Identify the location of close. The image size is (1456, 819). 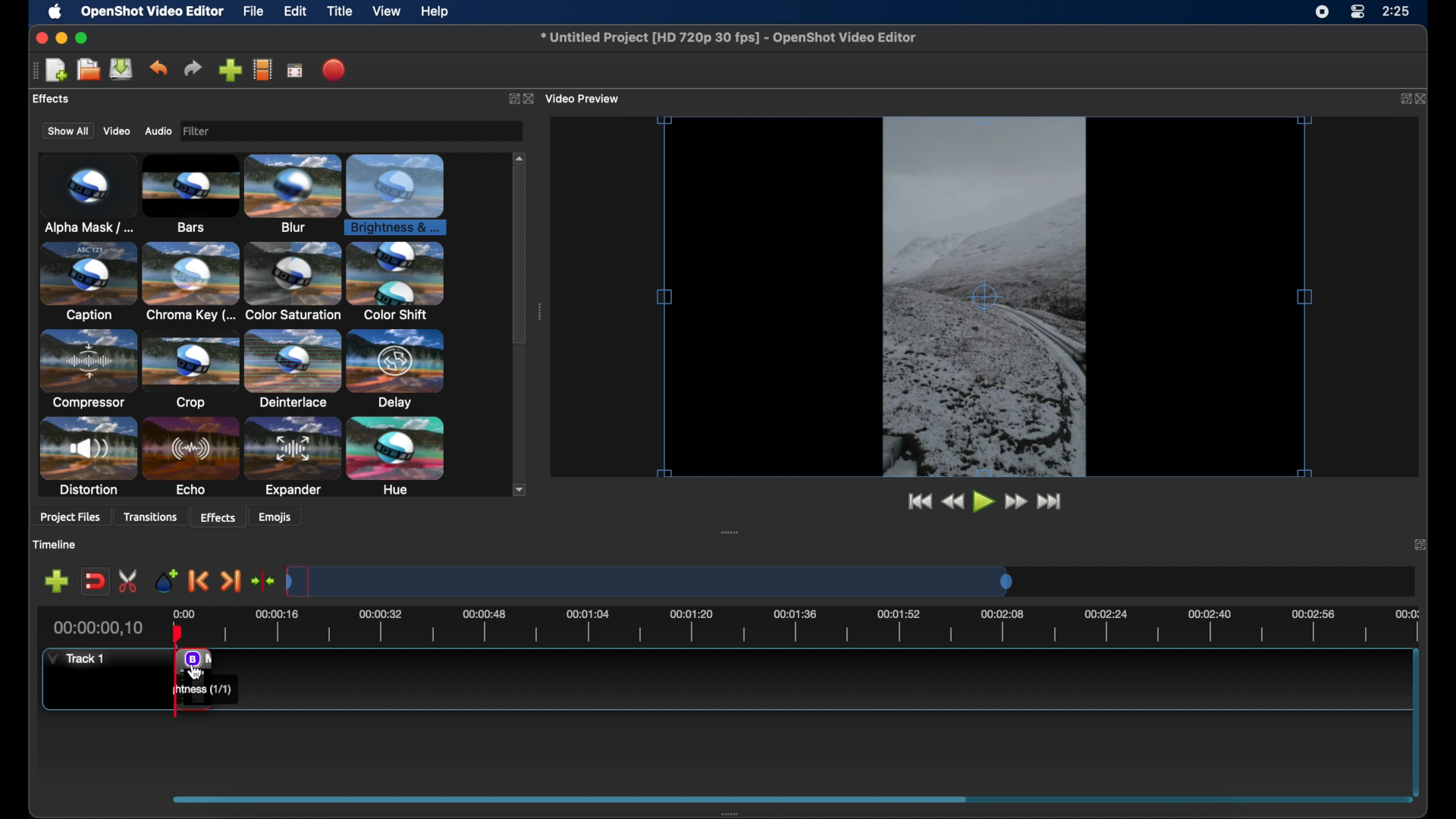
(1423, 98).